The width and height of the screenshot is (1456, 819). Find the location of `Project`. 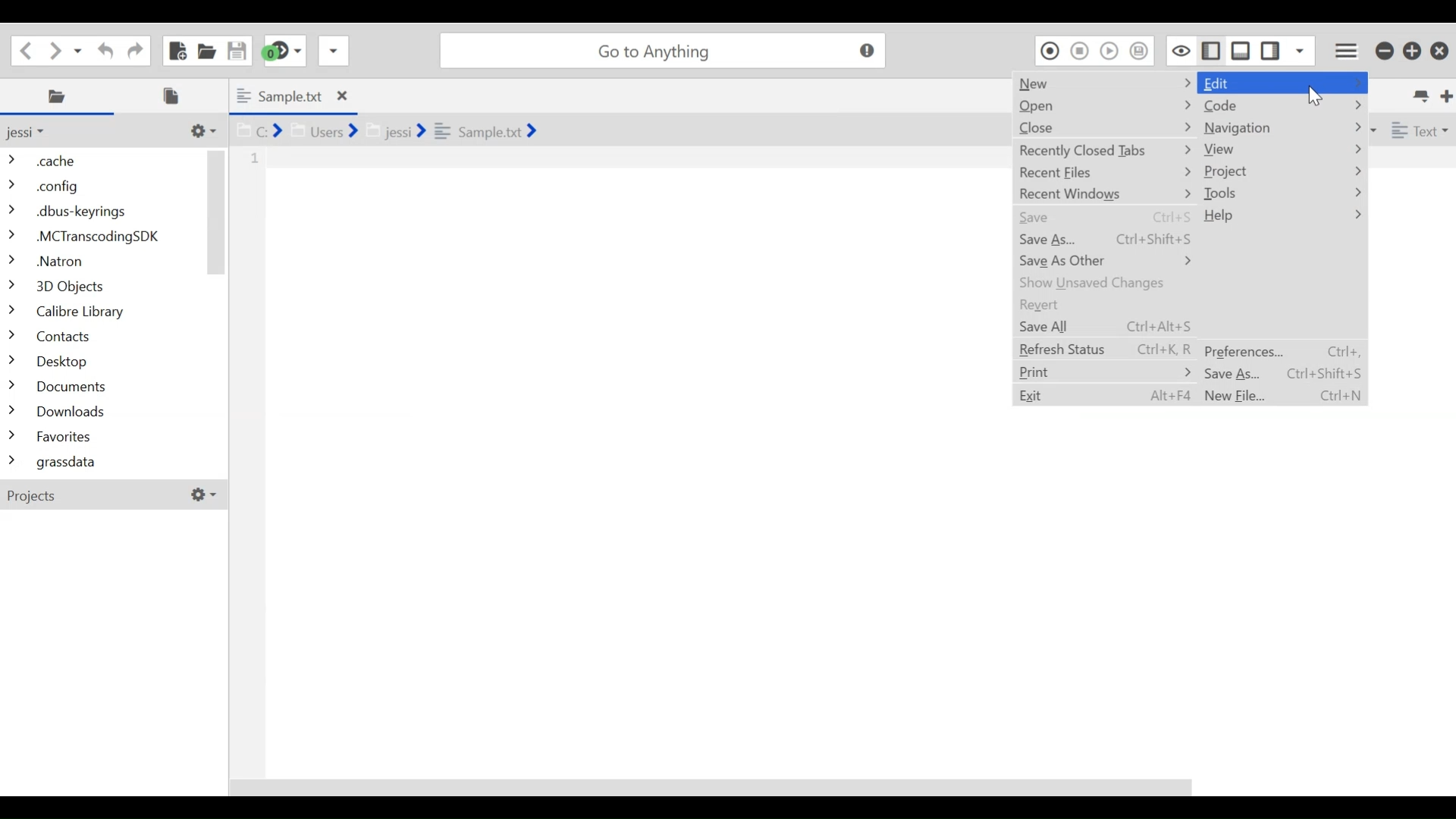

Project is located at coordinates (1282, 171).